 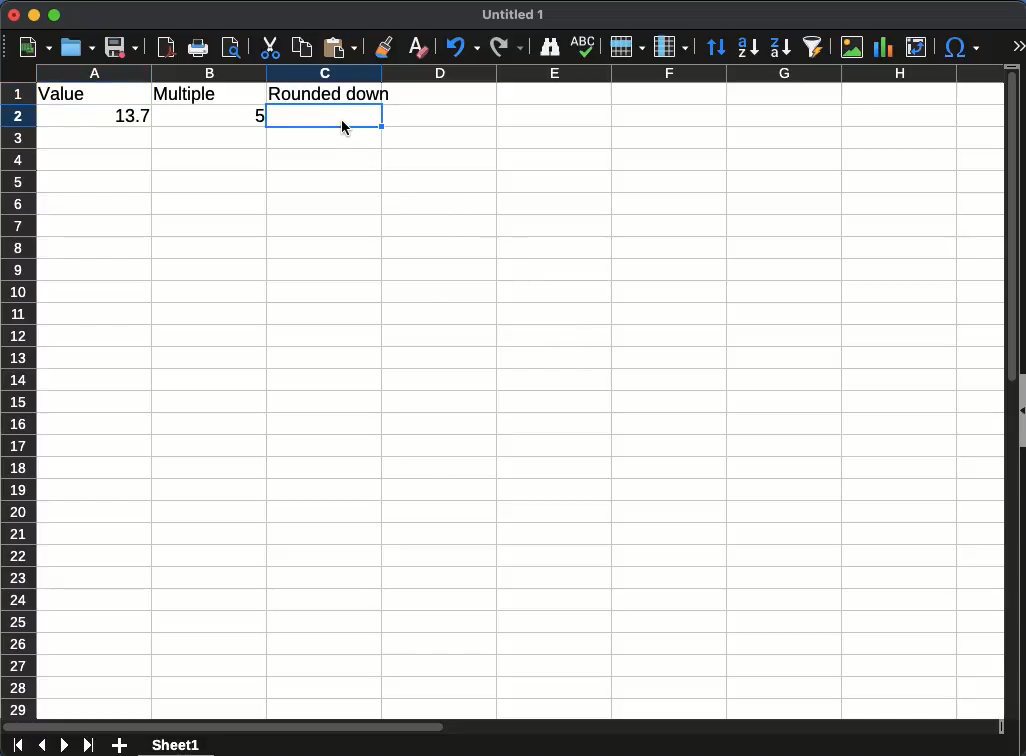 What do you see at coordinates (232, 49) in the screenshot?
I see `print preview` at bounding box center [232, 49].